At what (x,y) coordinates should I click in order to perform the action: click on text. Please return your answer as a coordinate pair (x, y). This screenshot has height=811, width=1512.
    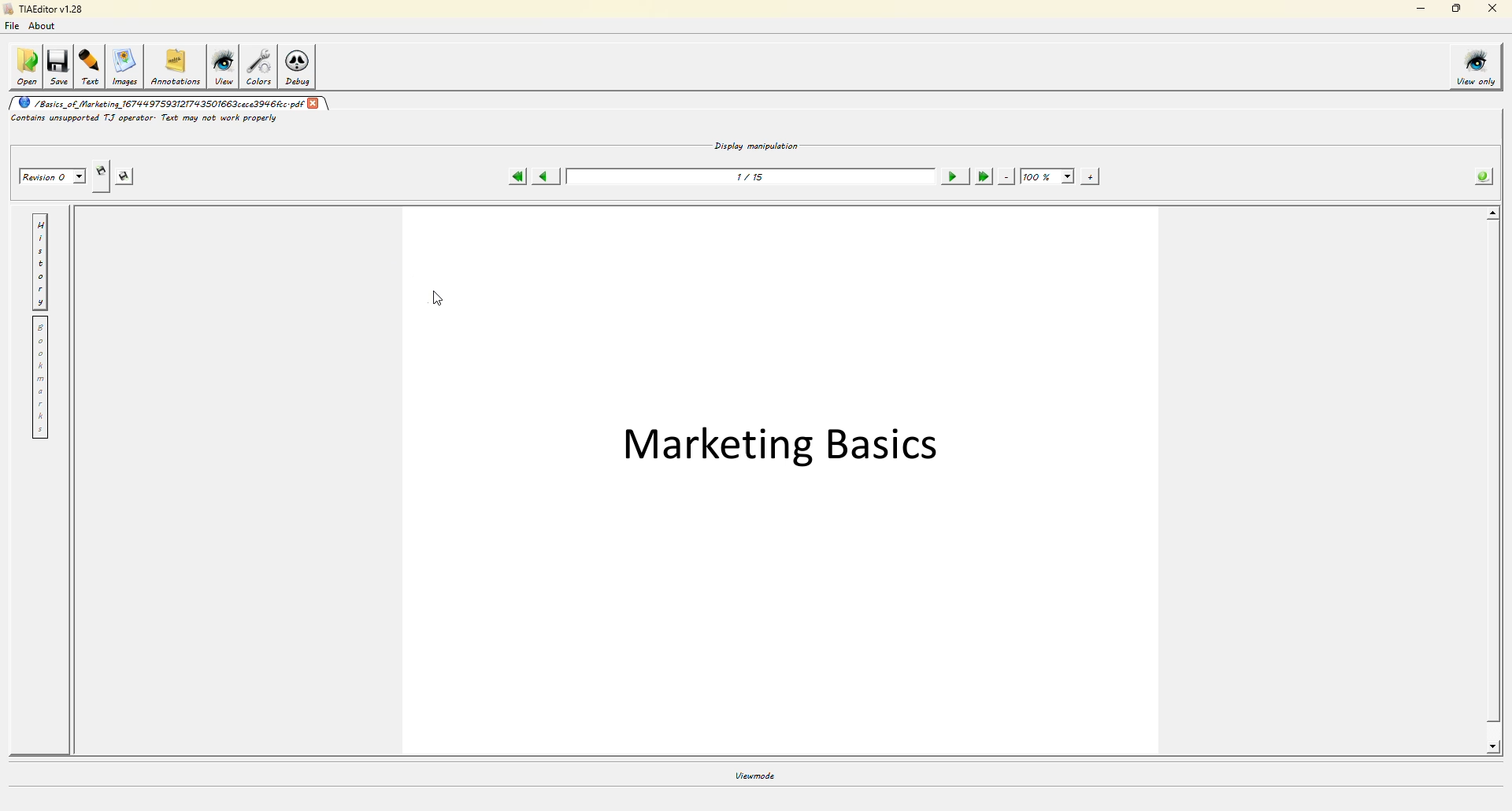
    Looking at the image, I should click on (91, 67).